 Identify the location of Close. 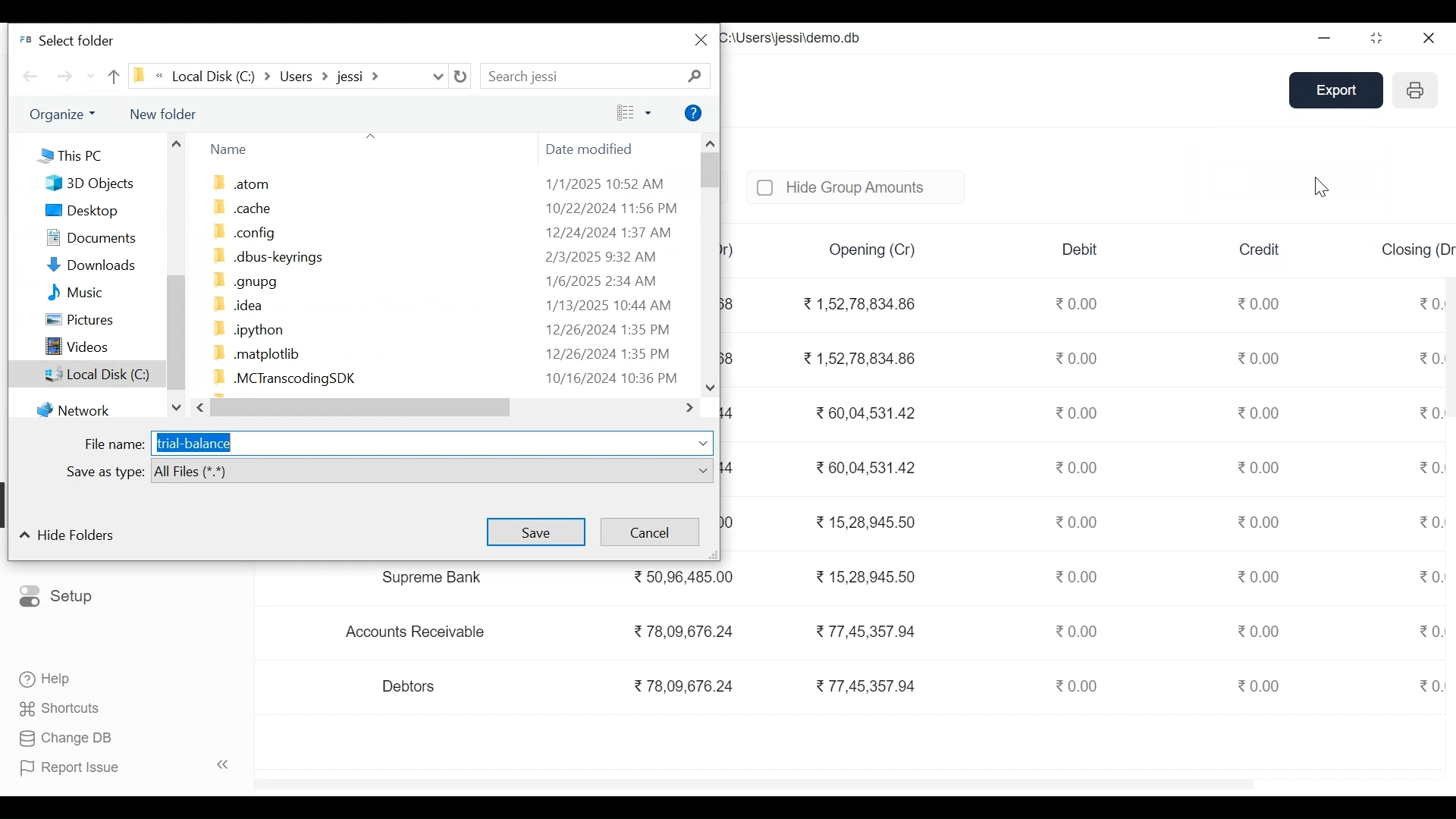
(702, 39).